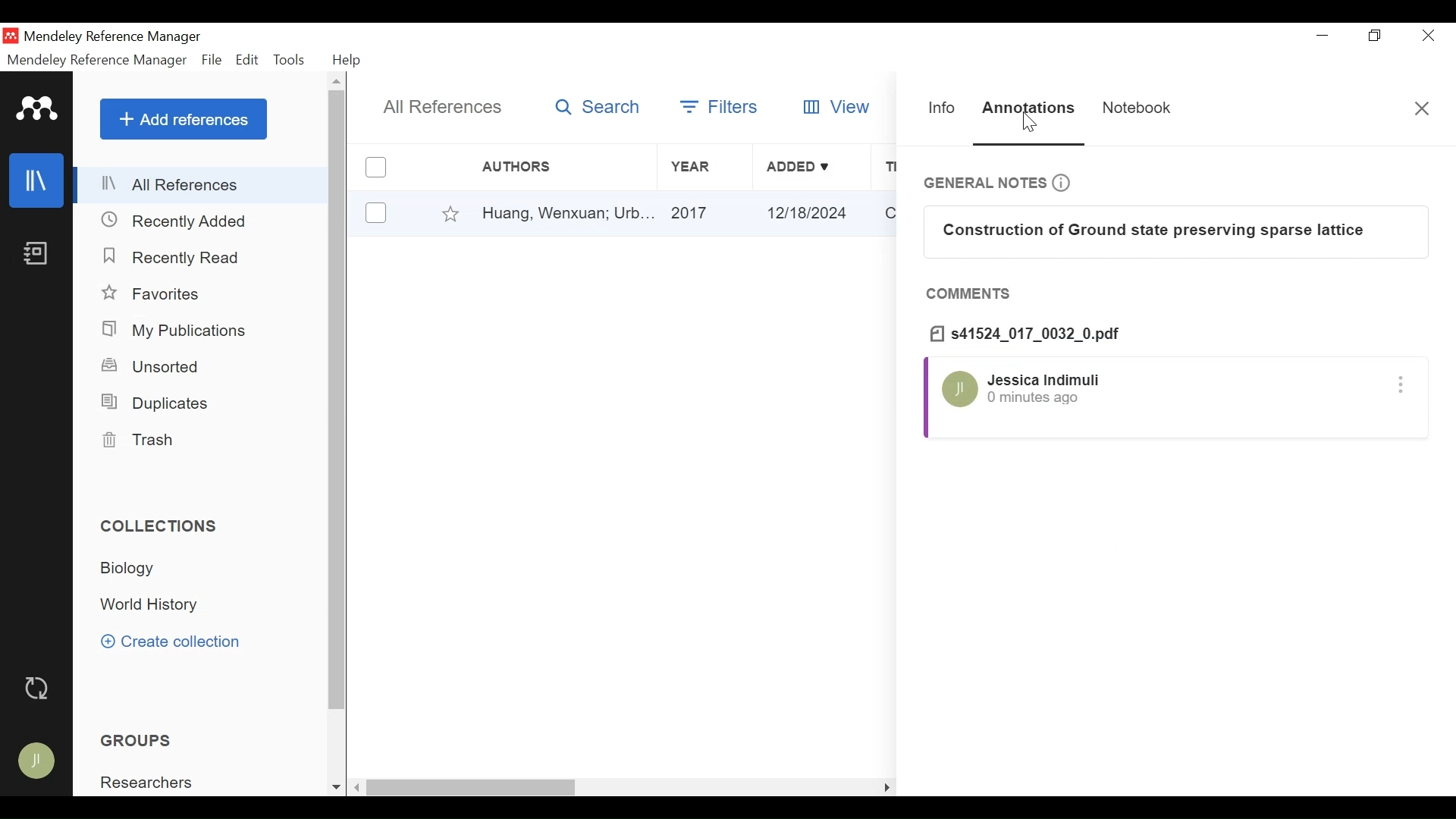 The width and height of the screenshot is (1456, 819). What do you see at coordinates (168, 256) in the screenshot?
I see `Recently Read` at bounding box center [168, 256].